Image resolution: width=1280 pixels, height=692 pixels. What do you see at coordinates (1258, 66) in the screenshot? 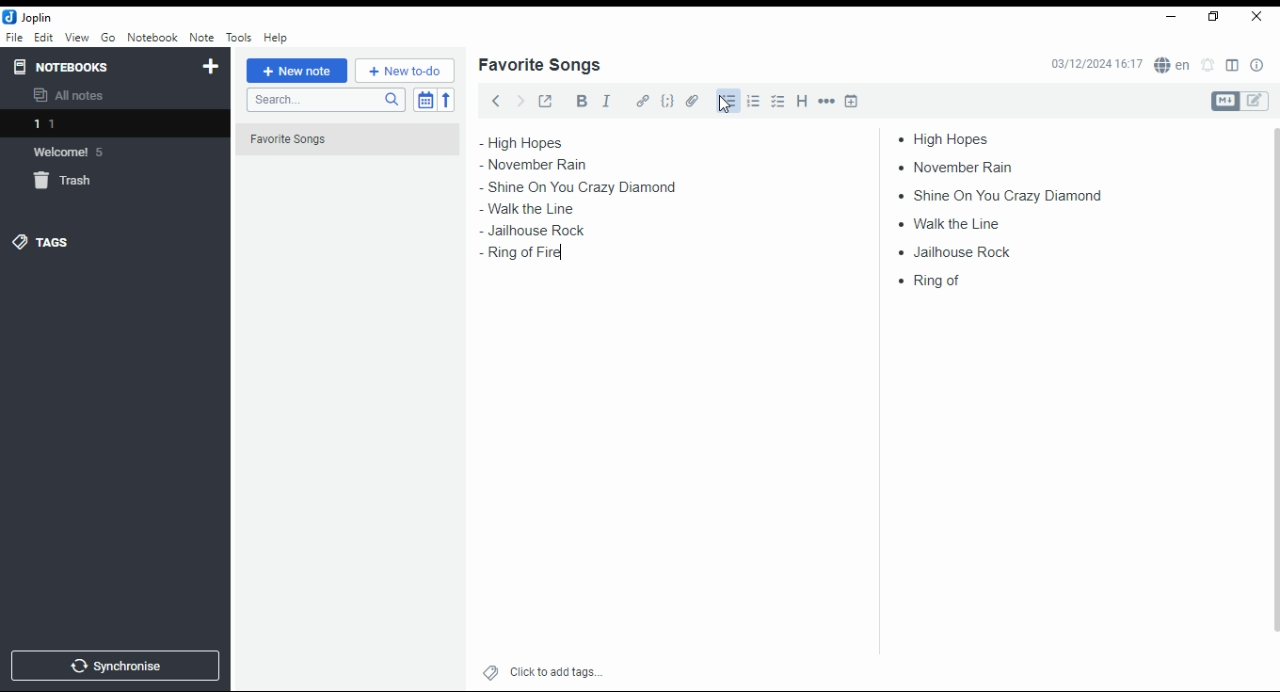
I see `note properties` at bounding box center [1258, 66].